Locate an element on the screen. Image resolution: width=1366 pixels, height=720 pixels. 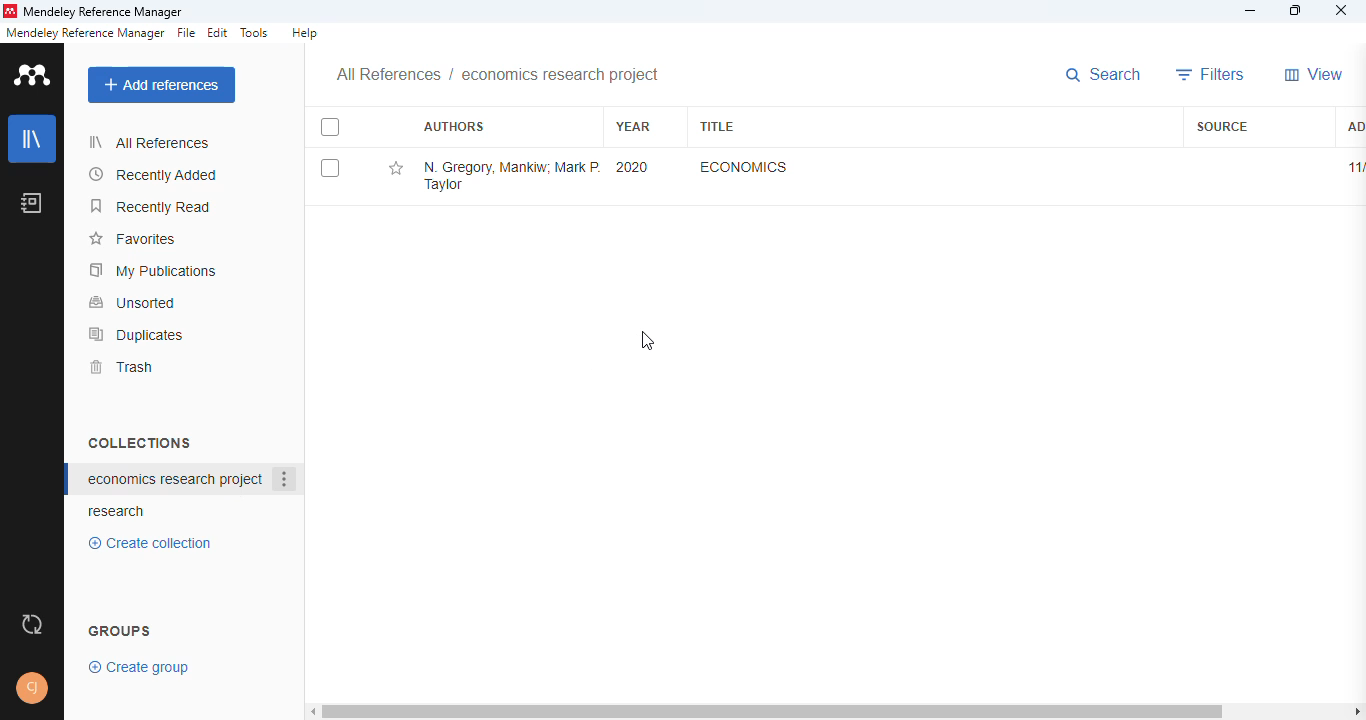
economics research project is located at coordinates (561, 75).